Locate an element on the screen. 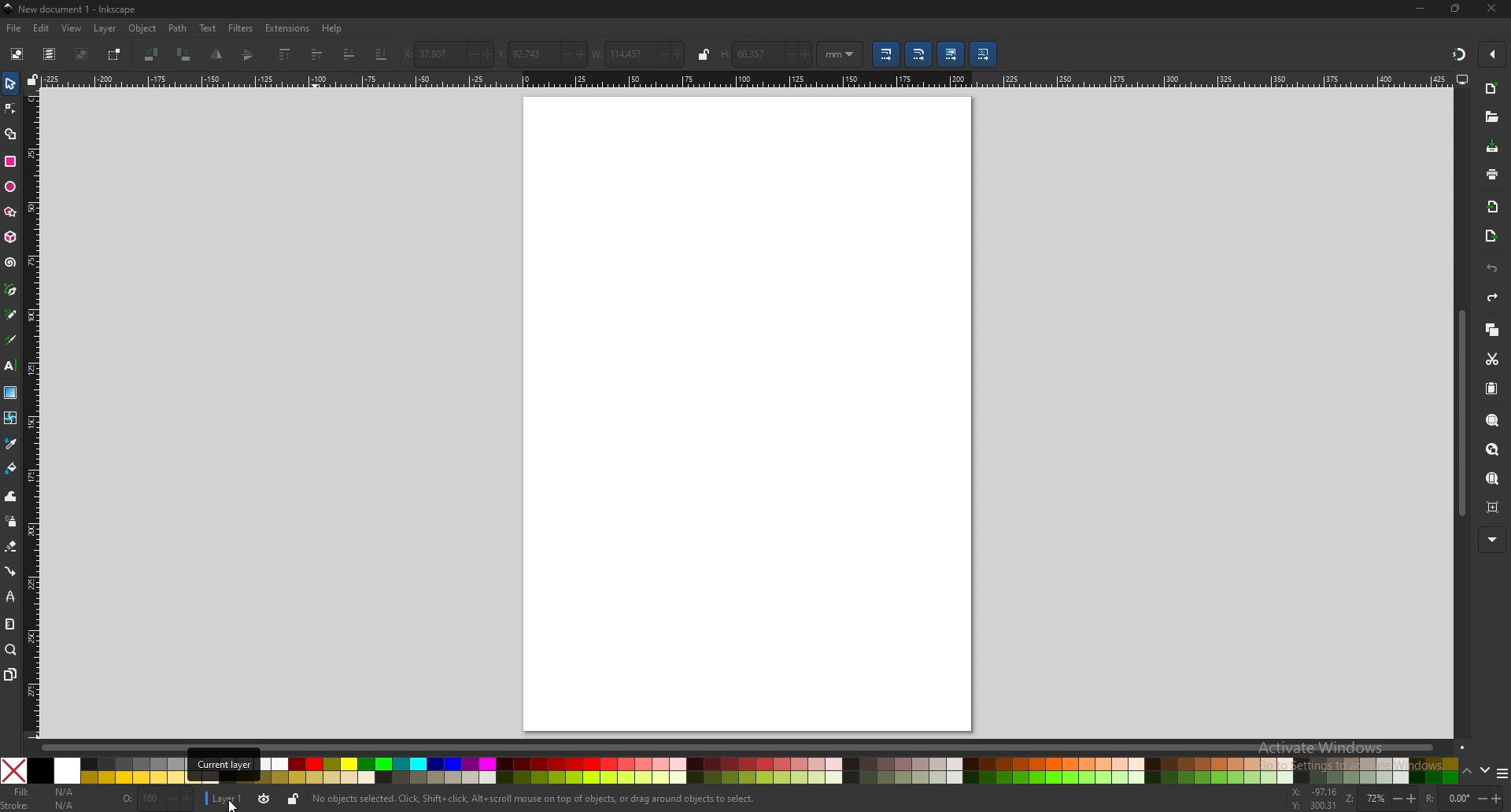 This screenshot has width=1511, height=812. height is located at coordinates (744, 54).